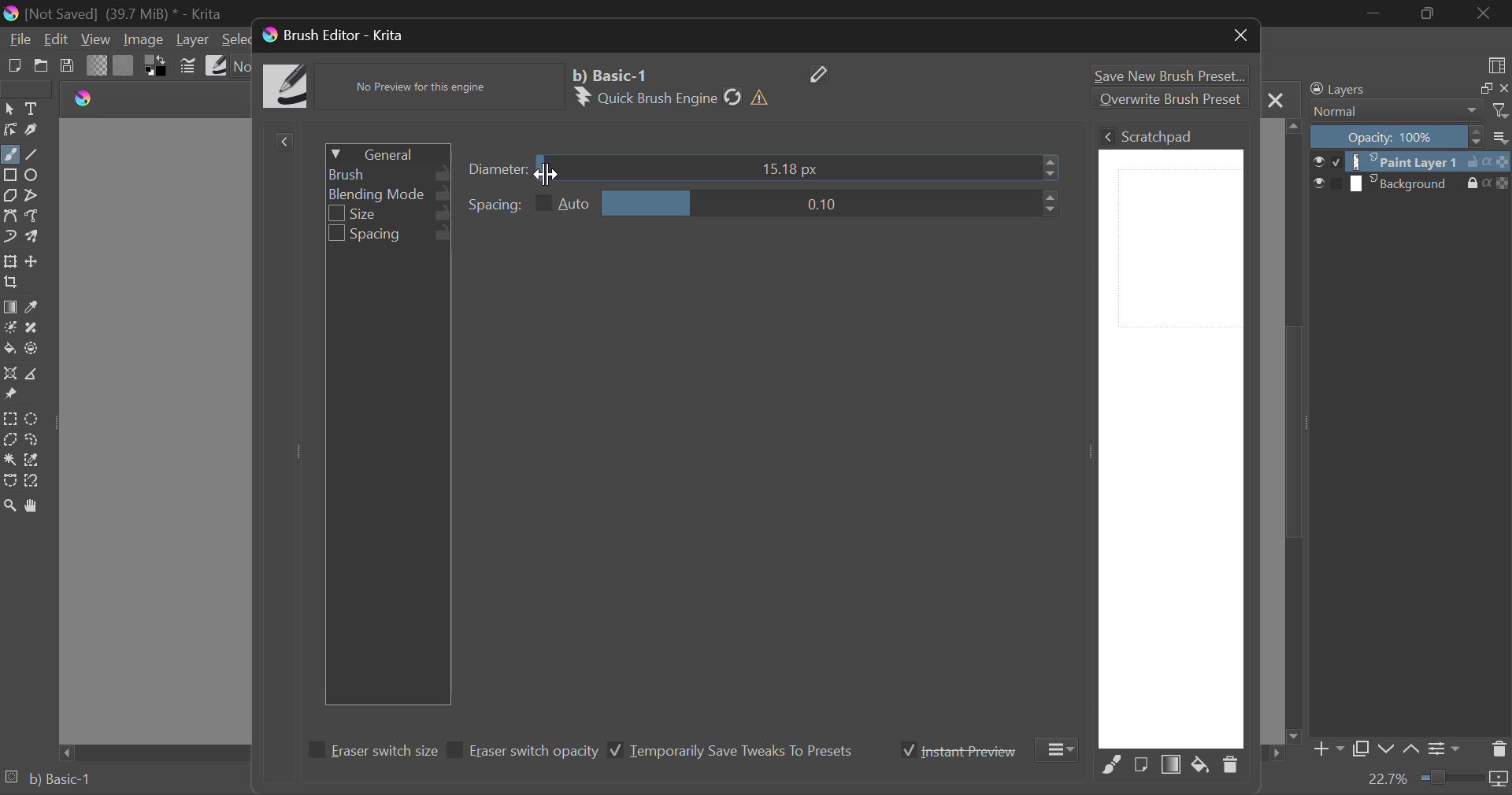  I want to click on Pattern, so click(124, 65).